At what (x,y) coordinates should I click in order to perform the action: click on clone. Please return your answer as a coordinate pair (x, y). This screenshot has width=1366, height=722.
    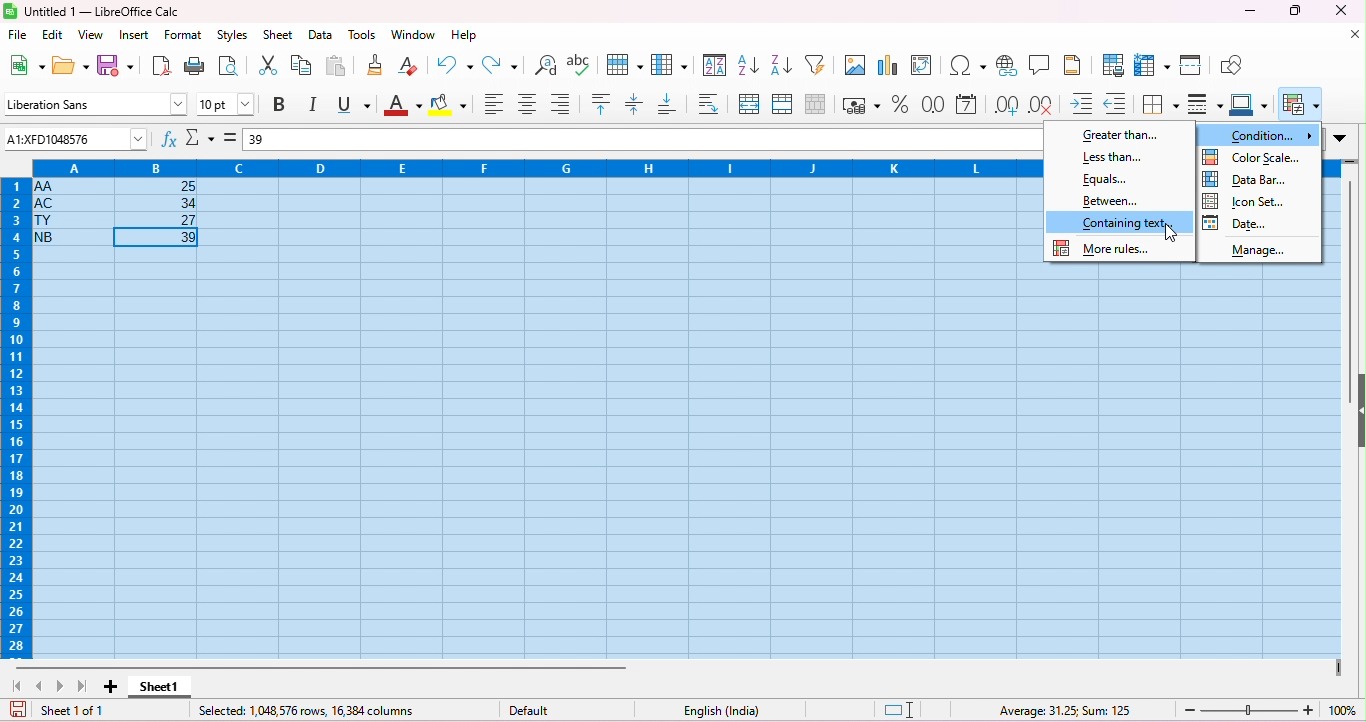
    Looking at the image, I should click on (377, 64).